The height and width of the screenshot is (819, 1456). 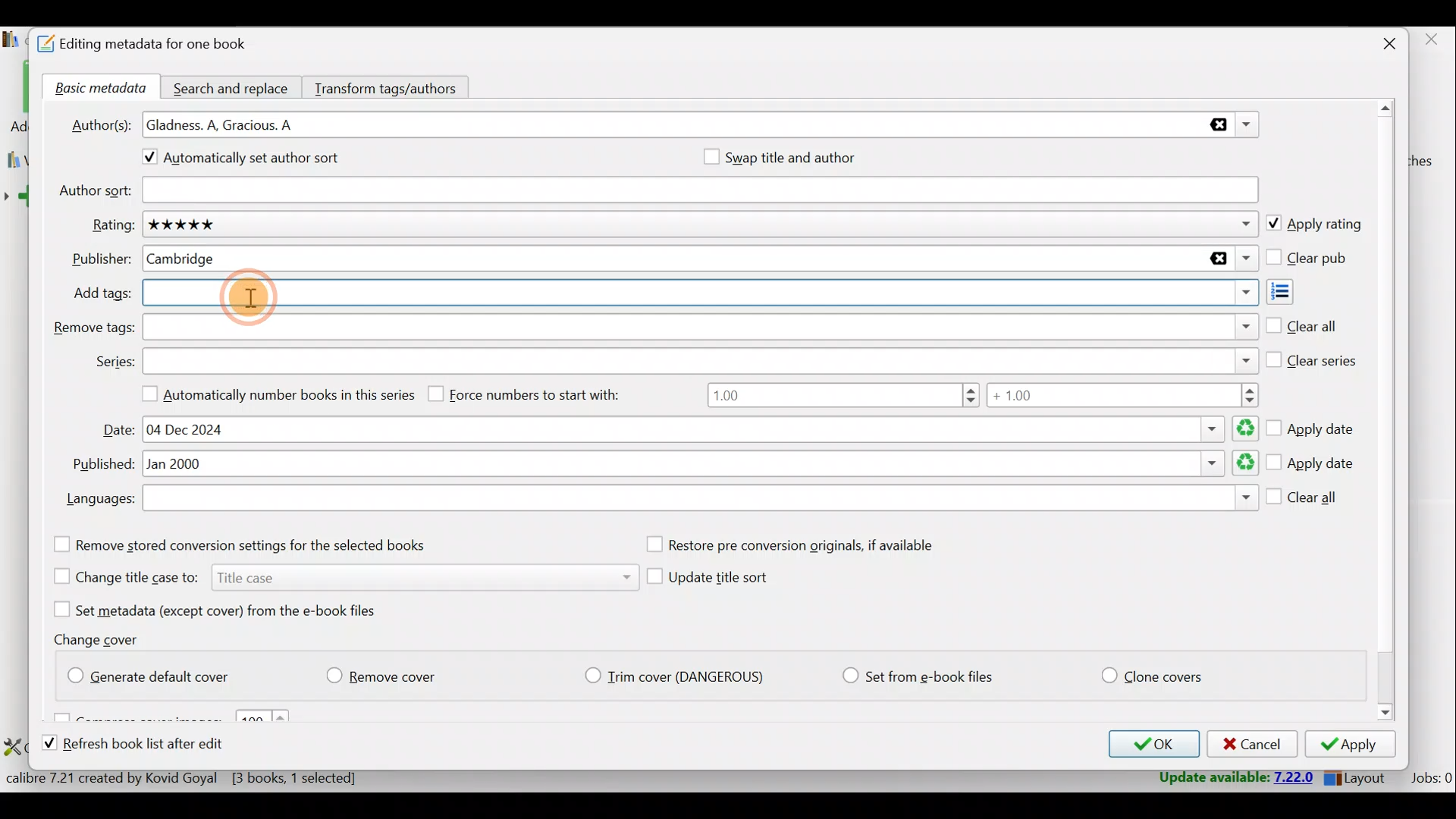 What do you see at coordinates (272, 393) in the screenshot?
I see `Automatically number books in this series` at bounding box center [272, 393].